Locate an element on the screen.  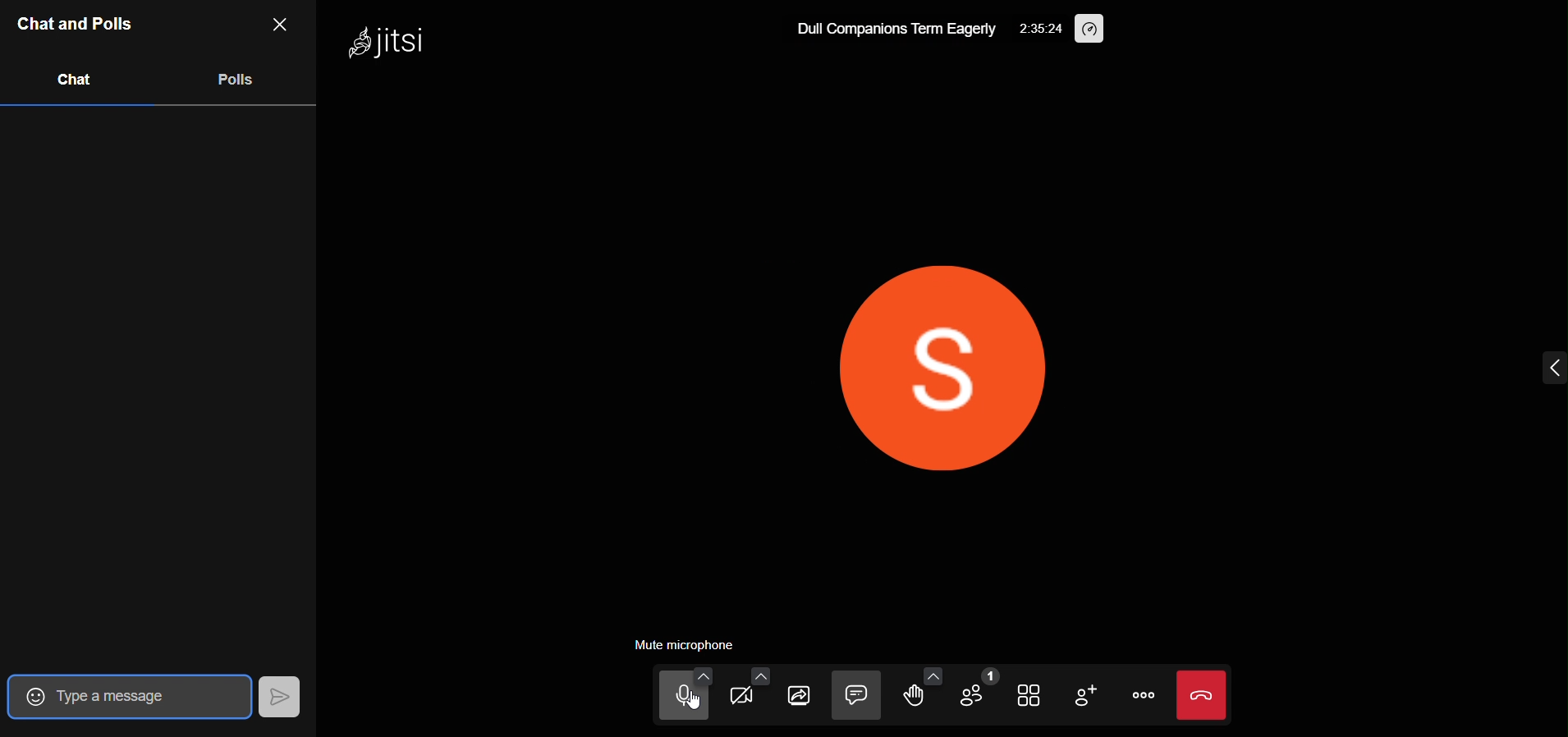
chat is located at coordinates (858, 696).